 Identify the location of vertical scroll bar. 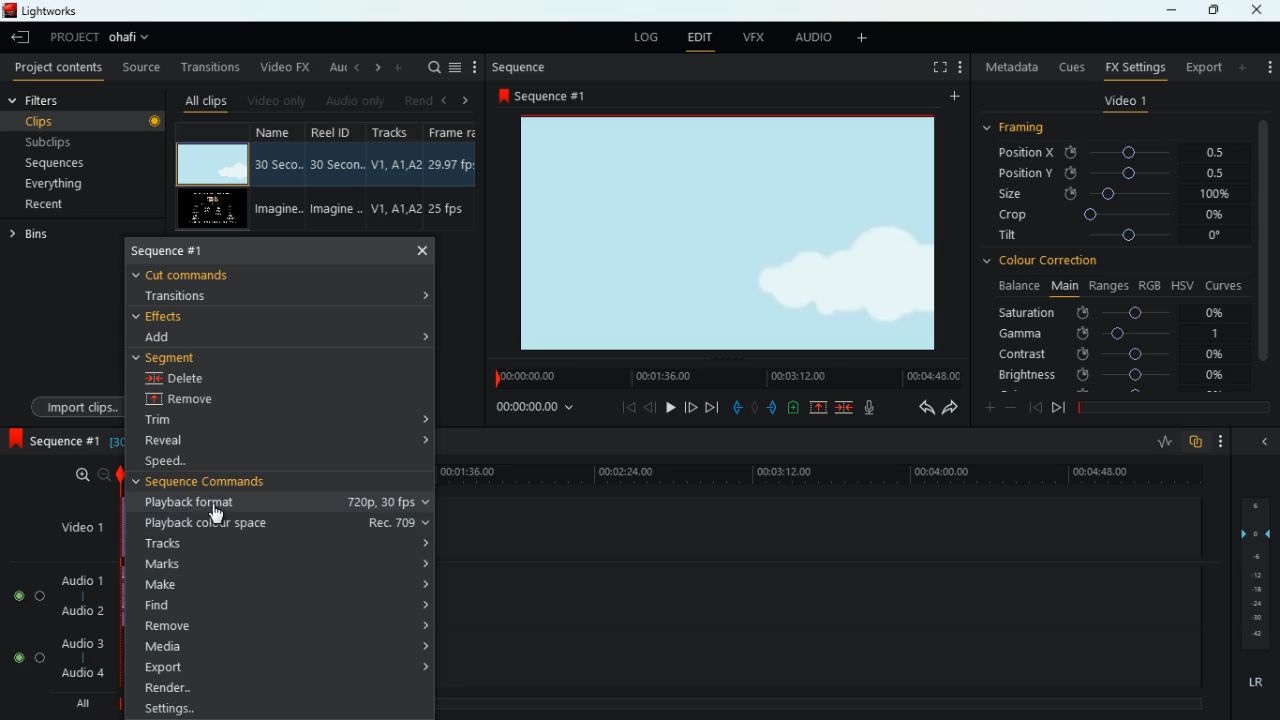
(1261, 238).